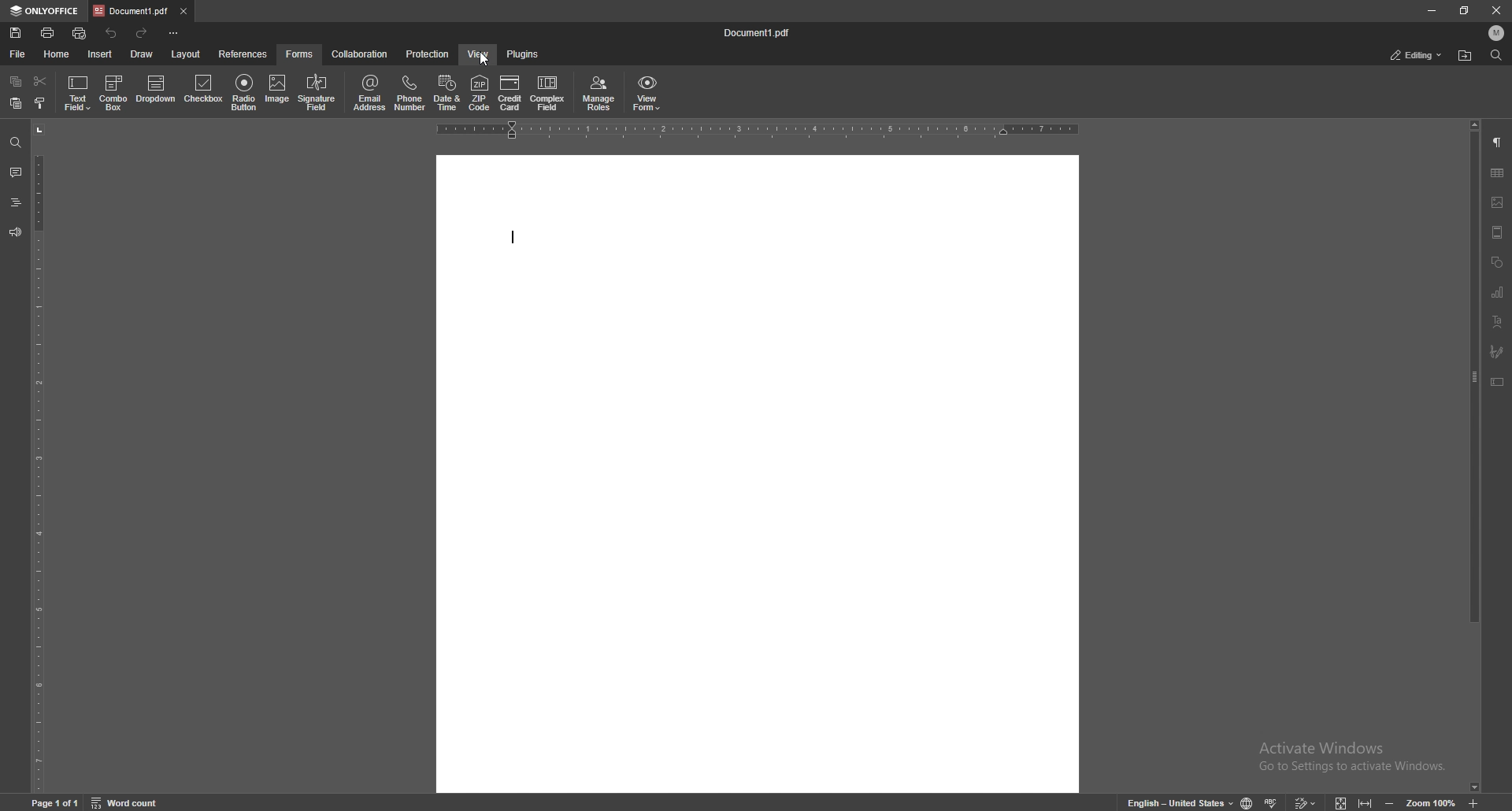  What do you see at coordinates (128, 802) in the screenshot?
I see `word count` at bounding box center [128, 802].